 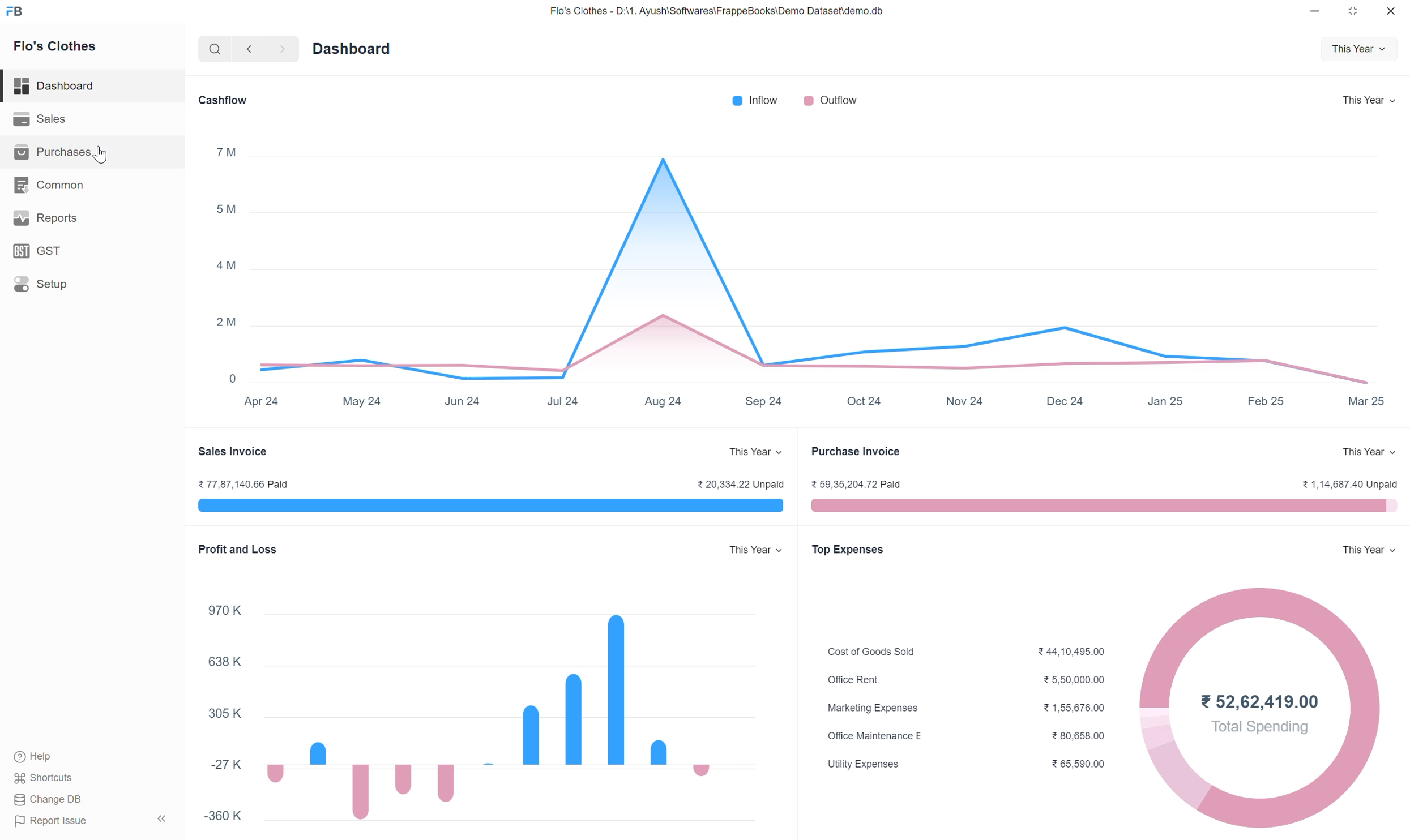 I want to click on total spending, so click(x=1263, y=727).